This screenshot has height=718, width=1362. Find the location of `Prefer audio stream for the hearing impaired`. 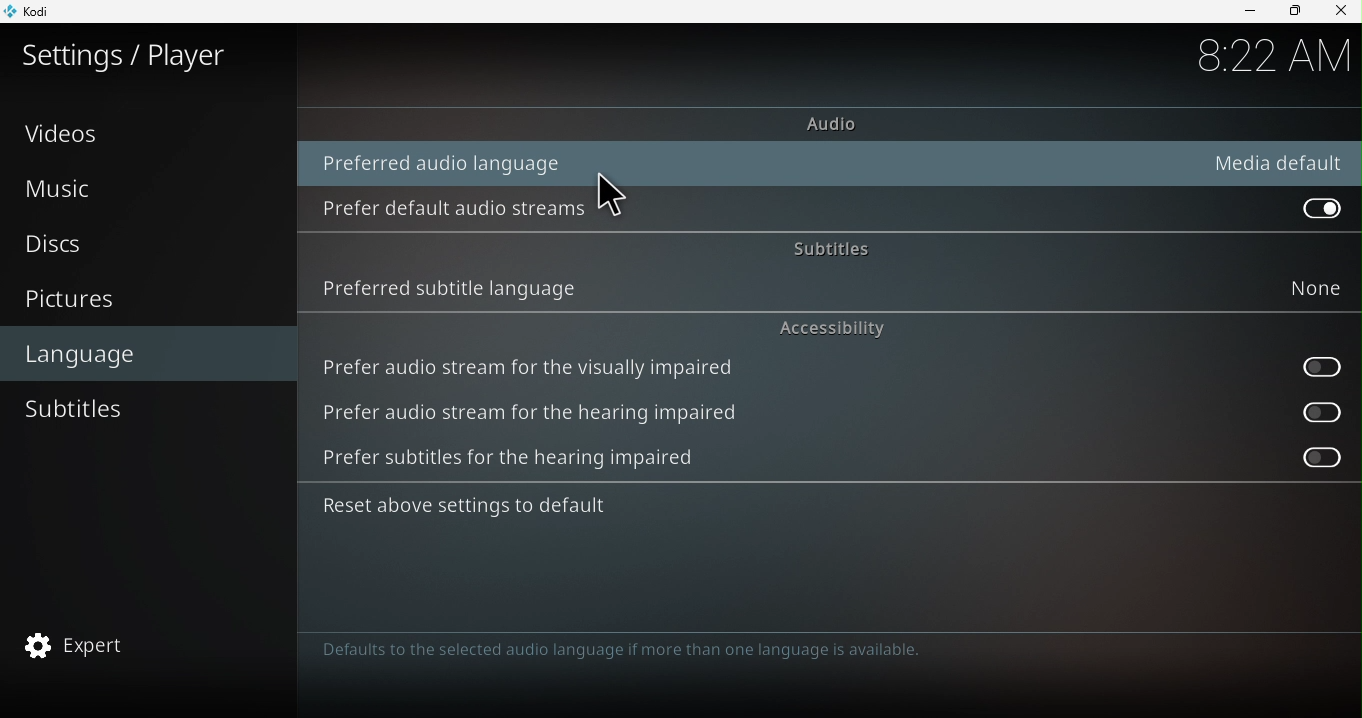

Prefer audio stream for the hearing impaired is located at coordinates (551, 415).